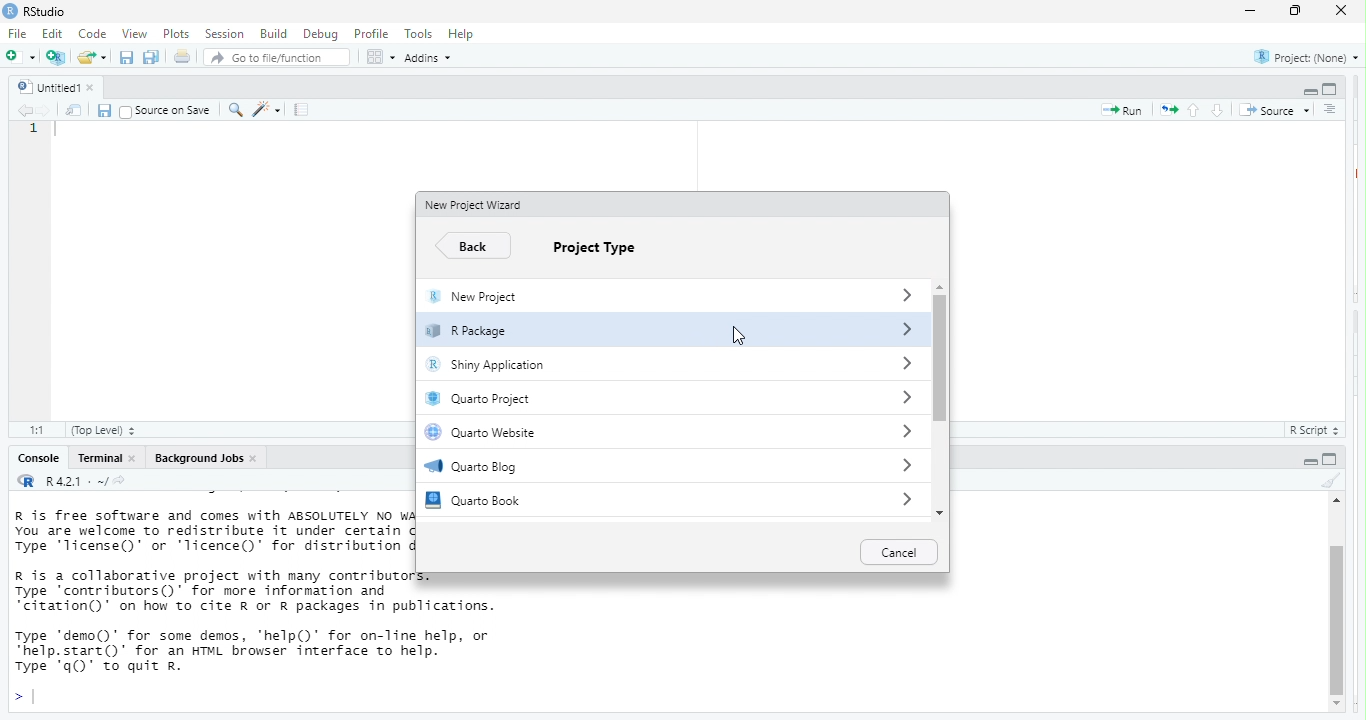 This screenshot has height=720, width=1366. What do you see at coordinates (258, 458) in the screenshot?
I see `close` at bounding box center [258, 458].